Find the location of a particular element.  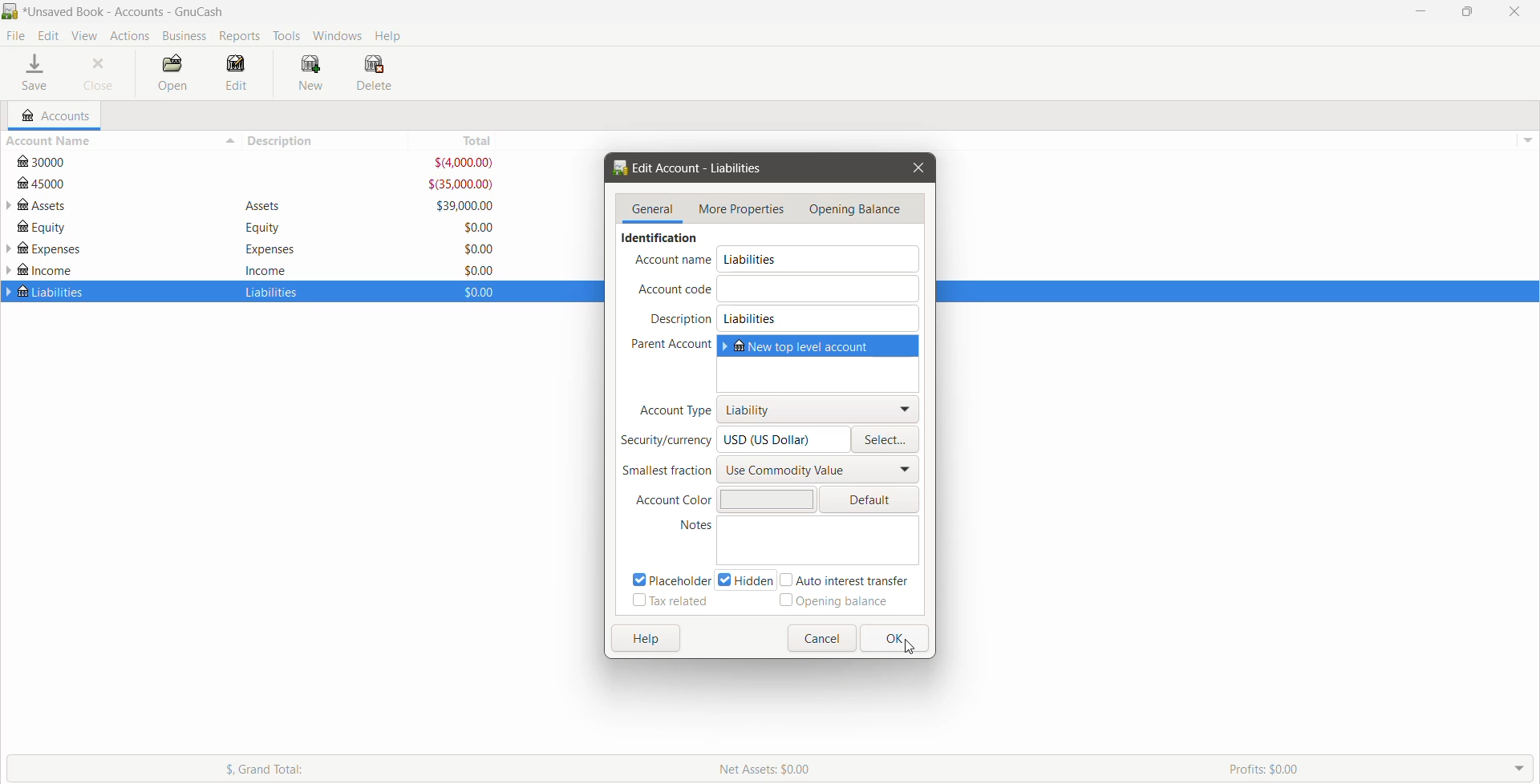

expand subaccounts is located at coordinates (10, 250).